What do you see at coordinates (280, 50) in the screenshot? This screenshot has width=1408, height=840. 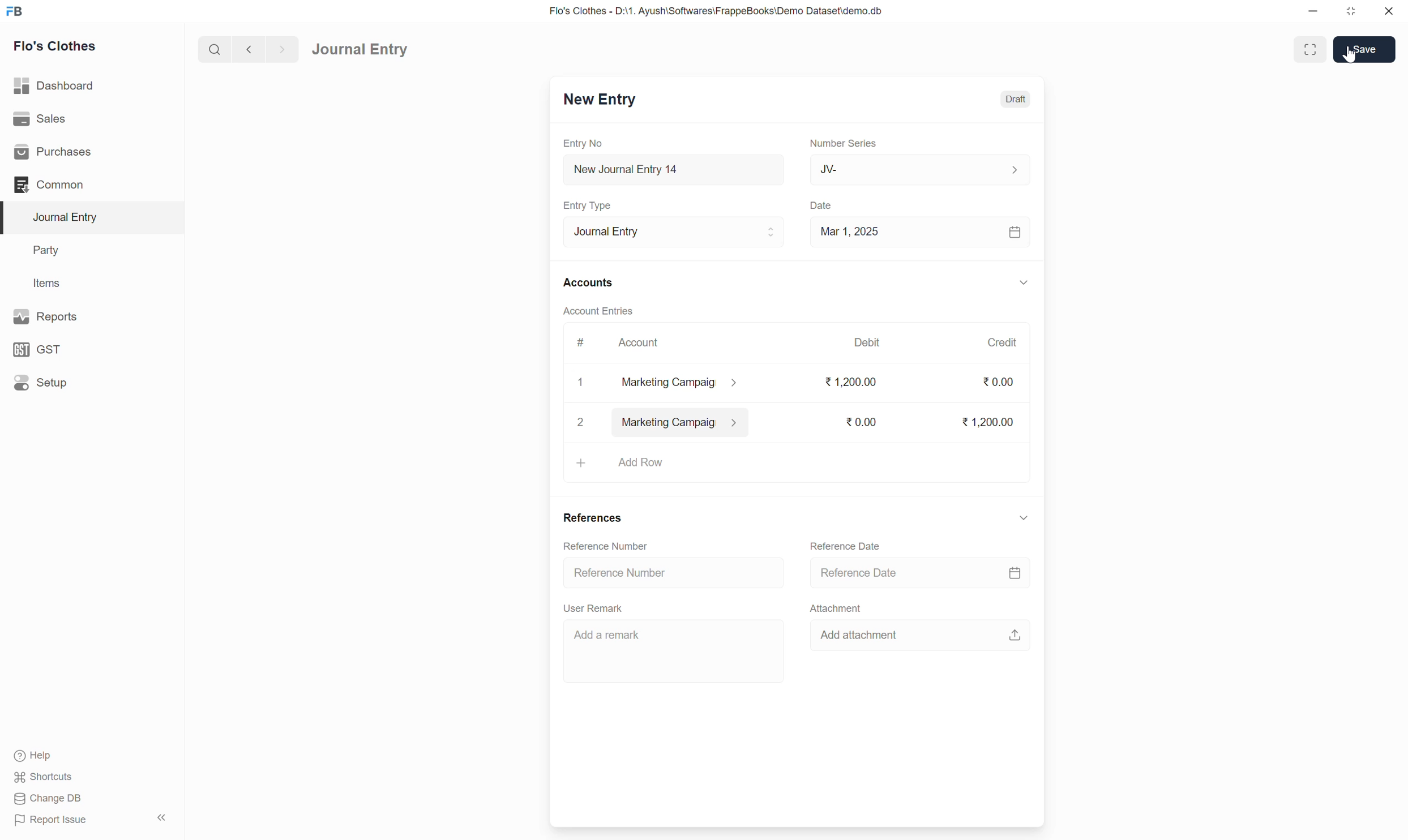 I see `forward` at bounding box center [280, 50].